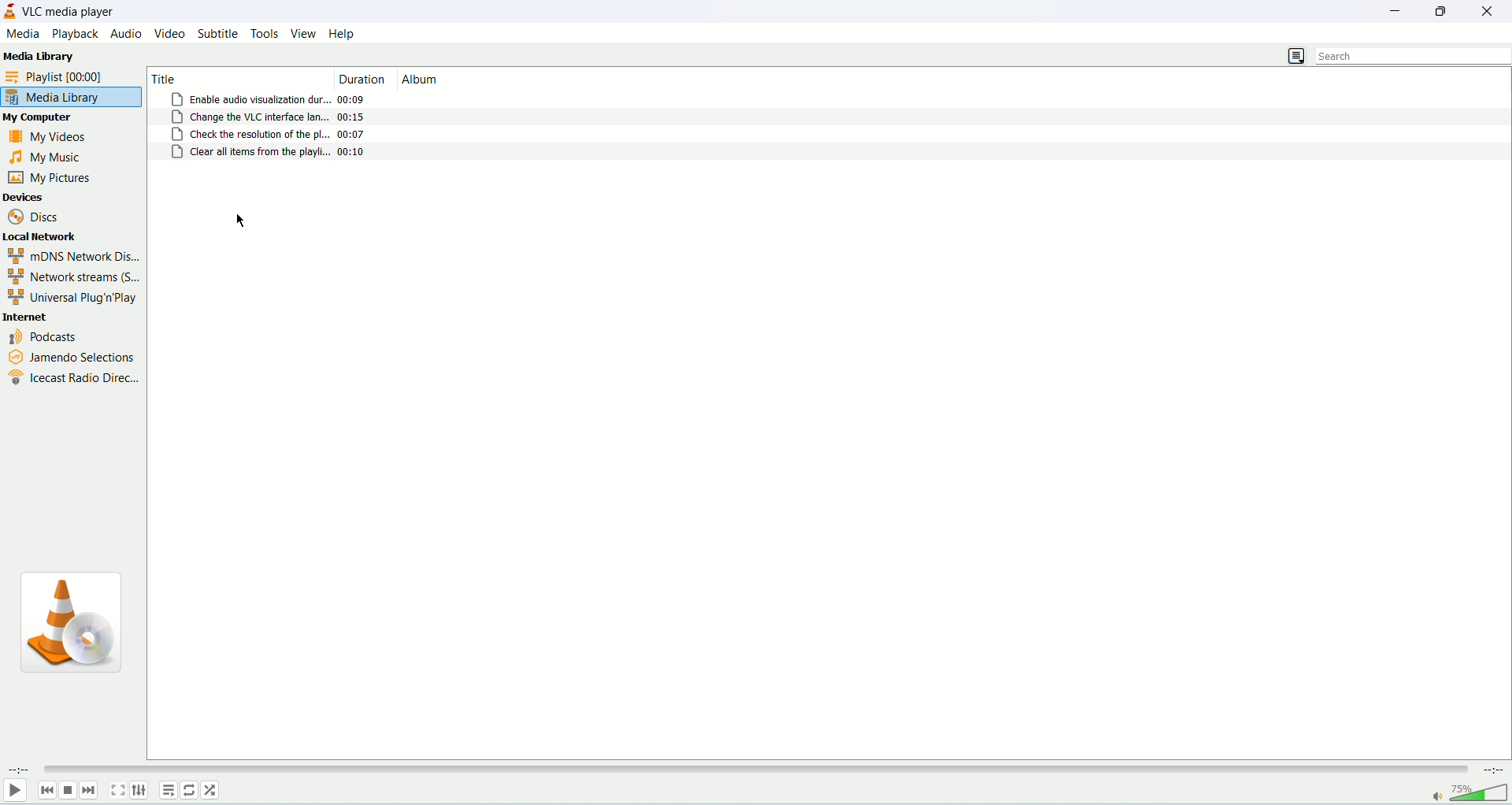  I want to click on play/pause, so click(15, 793).